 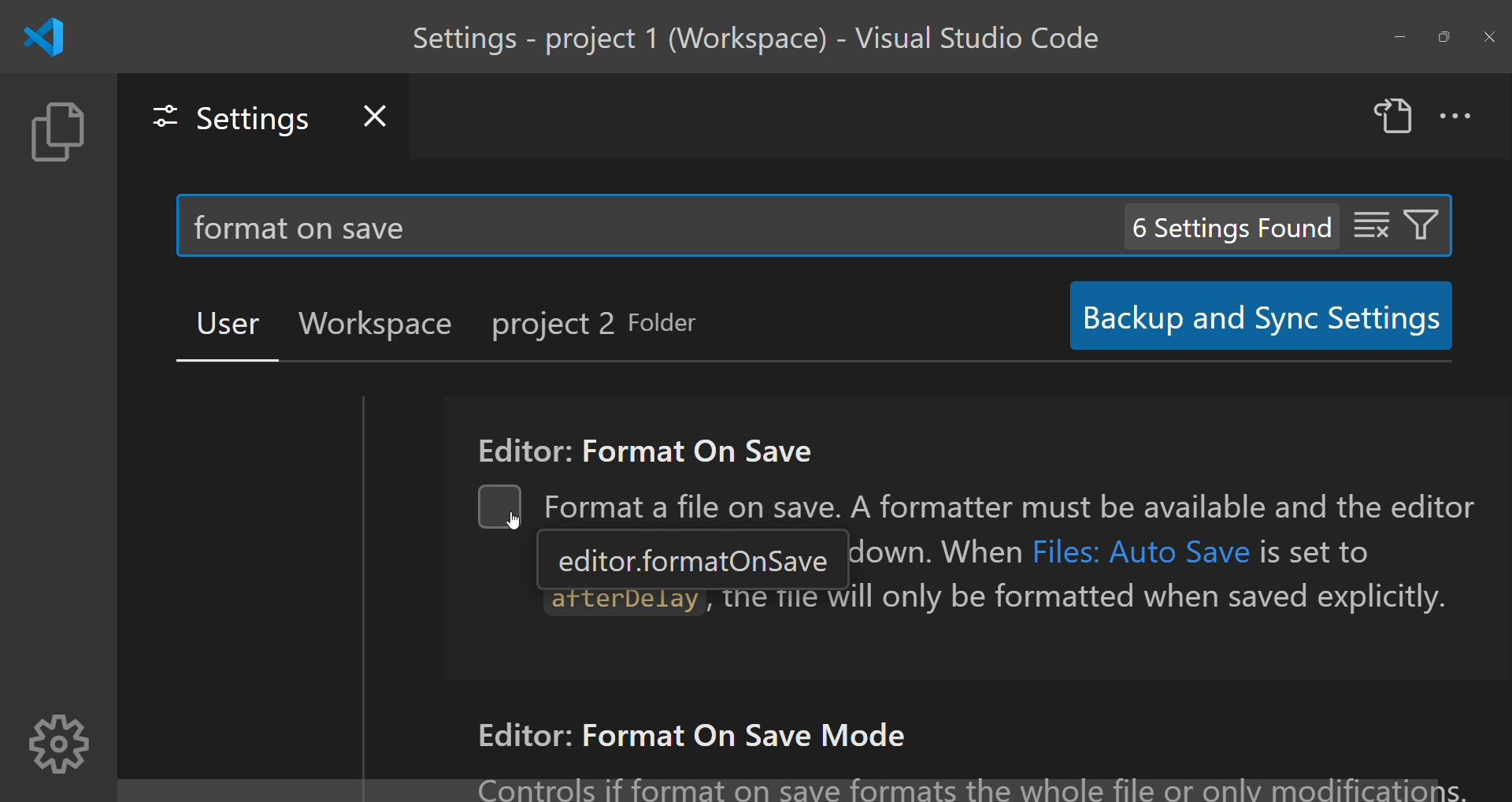 I want to click on 6 settings found, so click(x=1230, y=227).